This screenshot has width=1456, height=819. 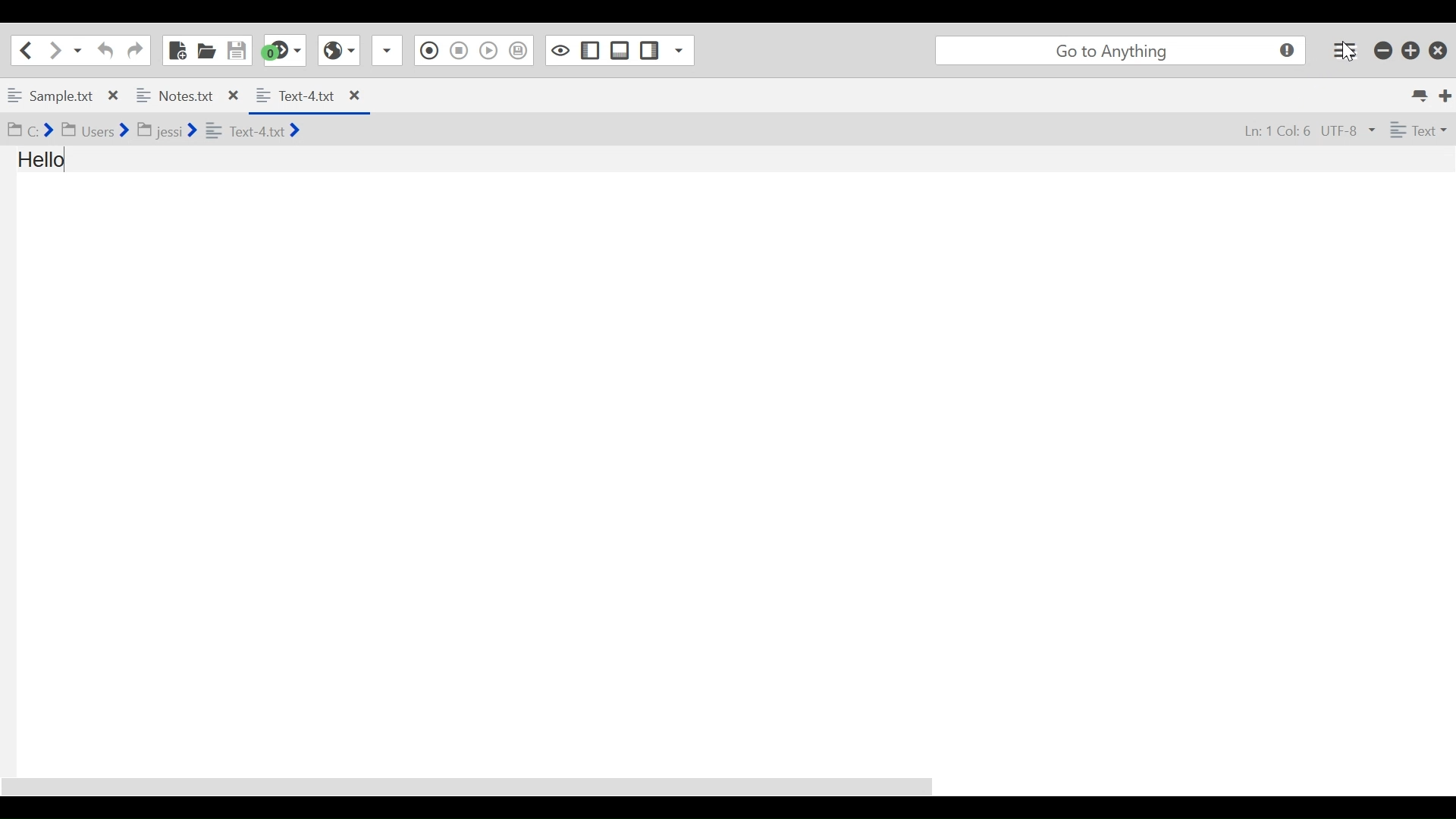 What do you see at coordinates (1423, 96) in the screenshot?
I see `List all tabs` at bounding box center [1423, 96].